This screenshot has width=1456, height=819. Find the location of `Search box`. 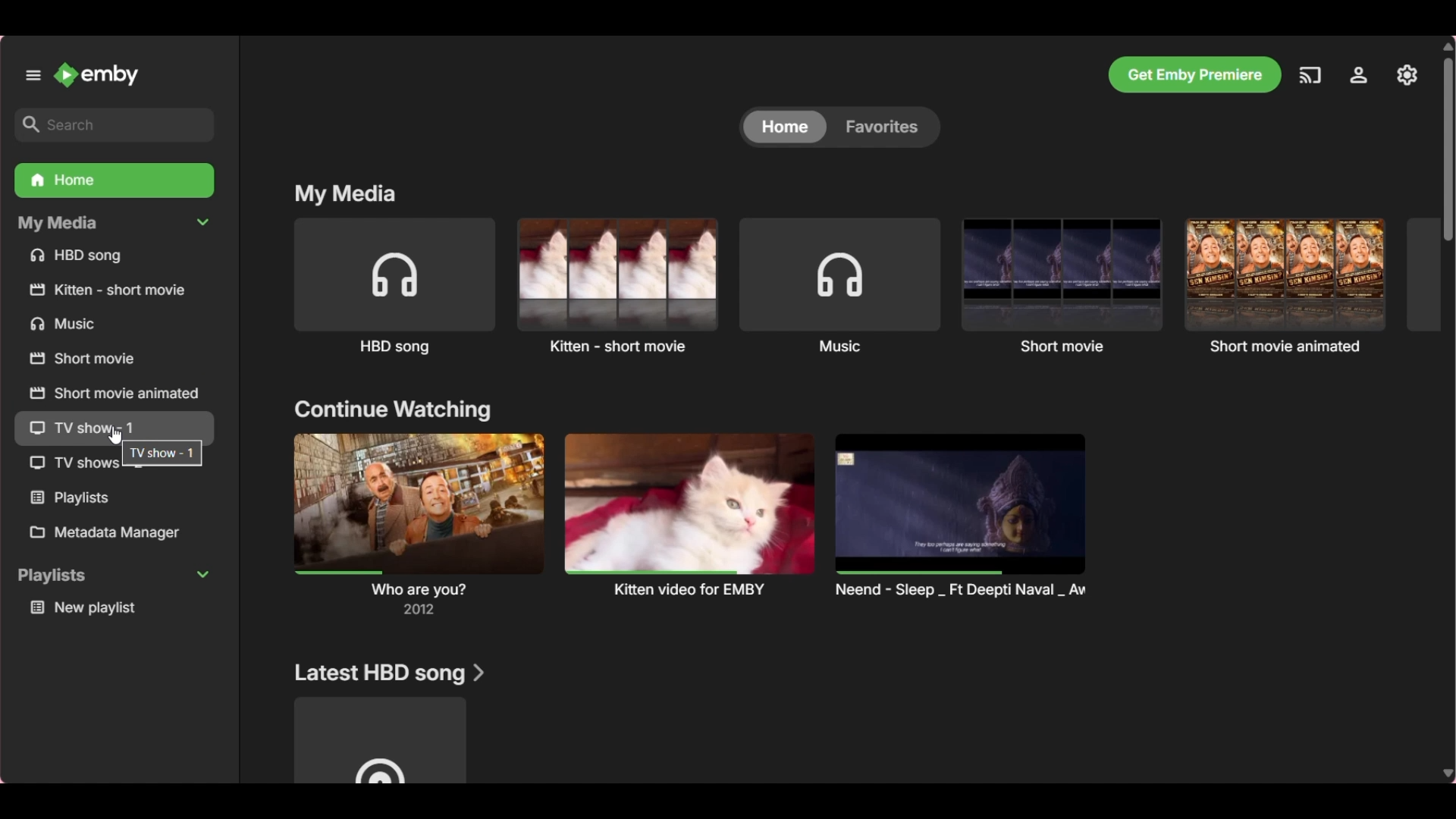

Search box is located at coordinates (115, 124).